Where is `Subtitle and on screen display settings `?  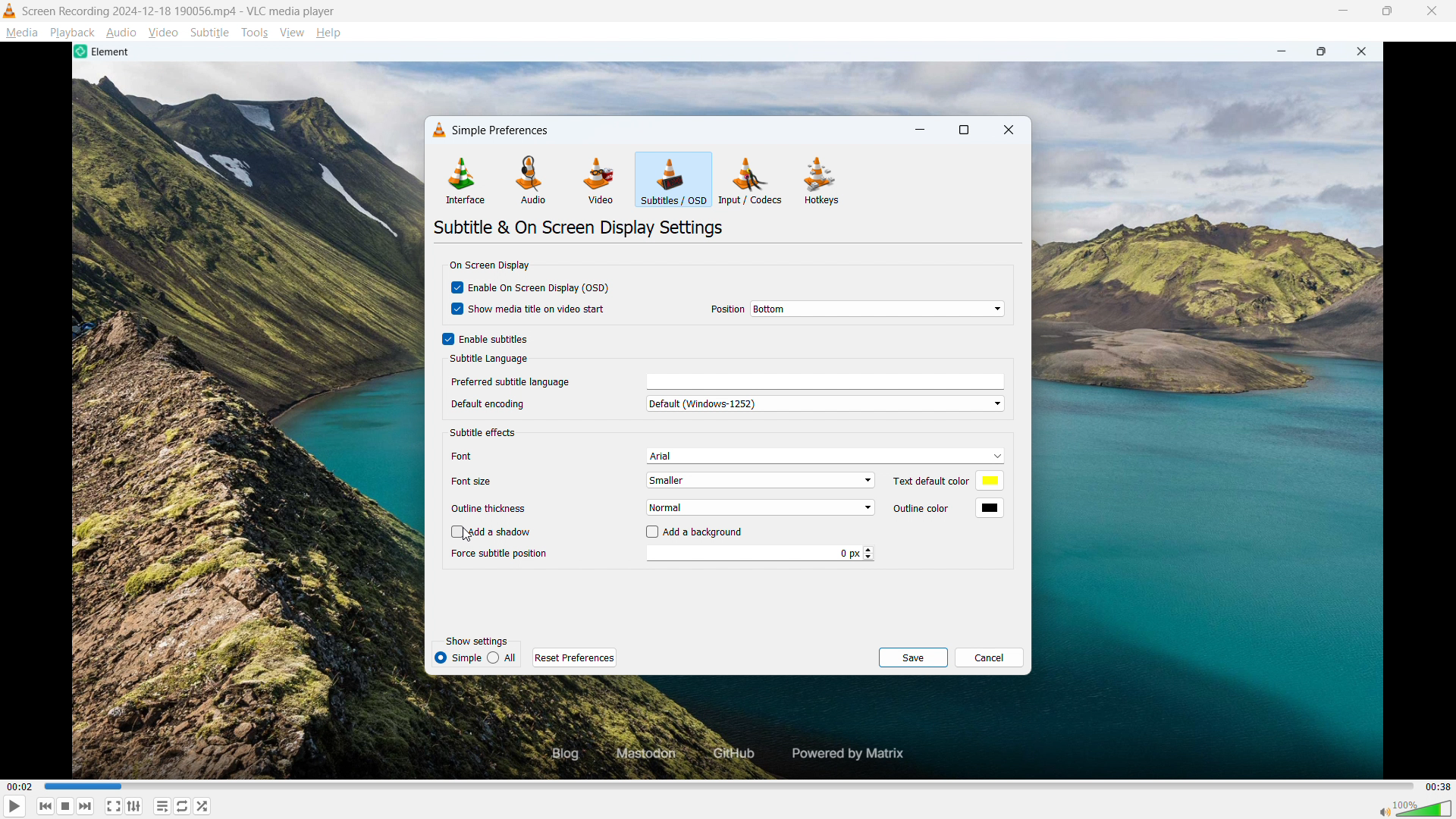
Subtitle and on screen display settings  is located at coordinates (579, 227).